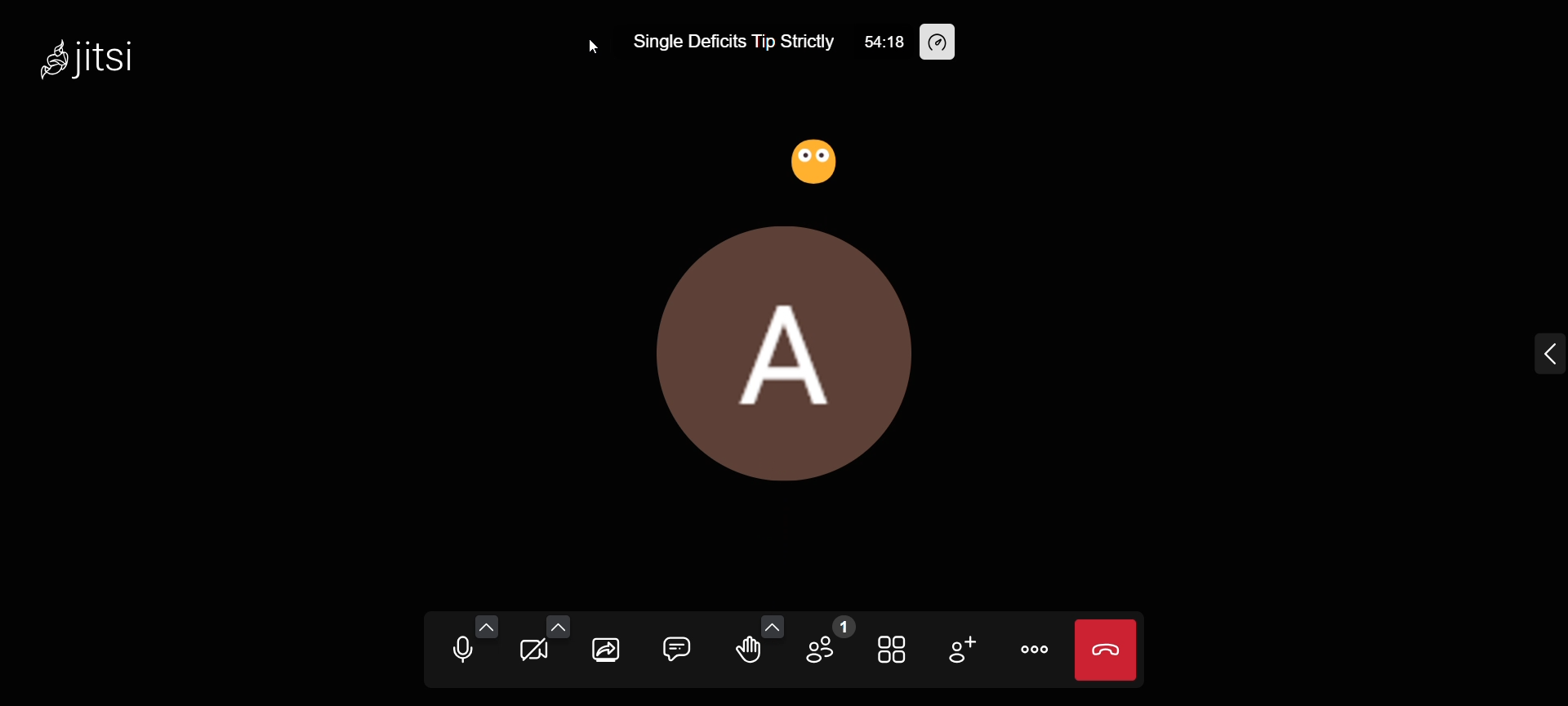 This screenshot has width=1568, height=706. I want to click on performance setting, so click(947, 44).